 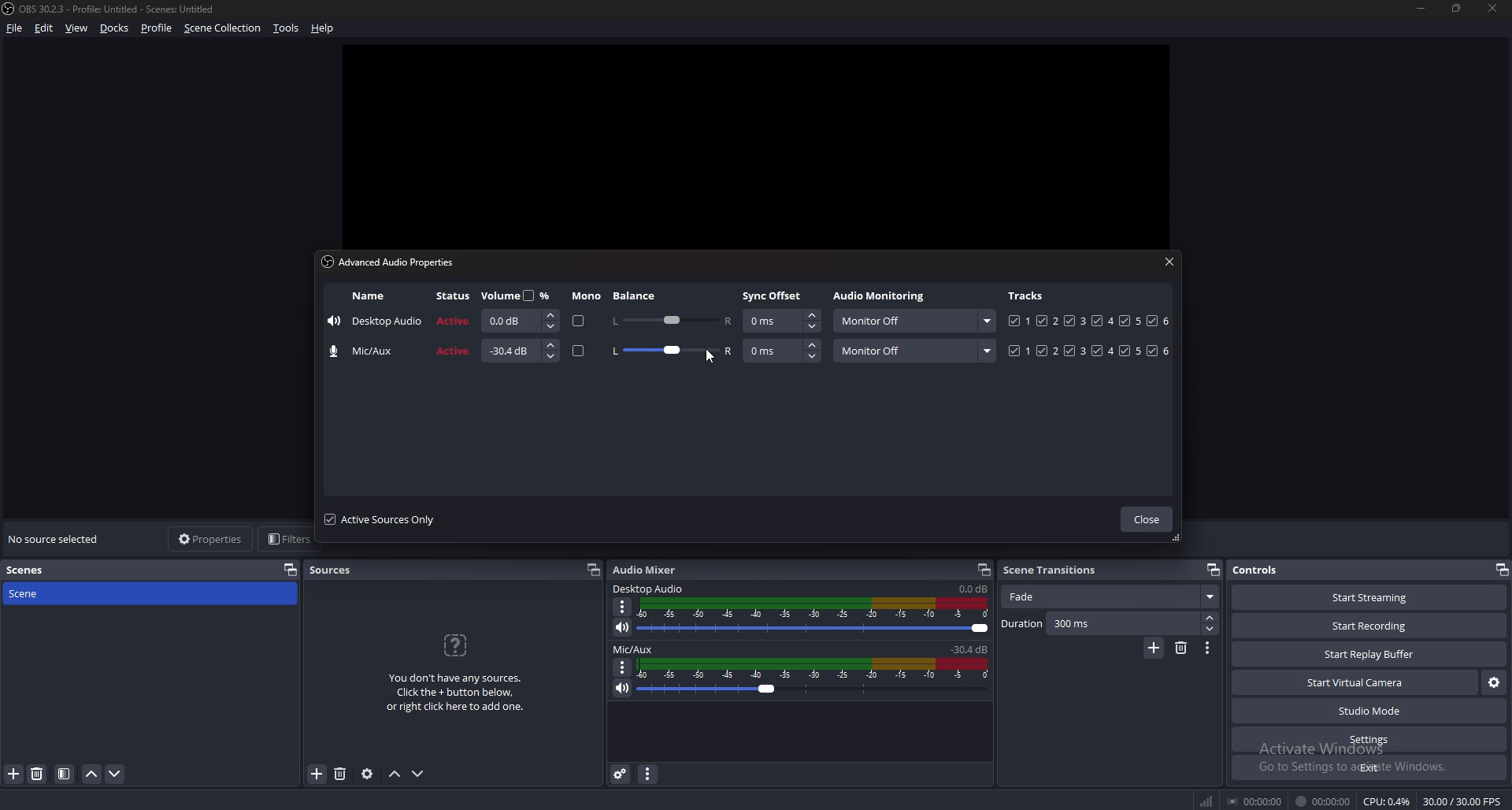 I want to click on sync offset, so click(x=783, y=351).